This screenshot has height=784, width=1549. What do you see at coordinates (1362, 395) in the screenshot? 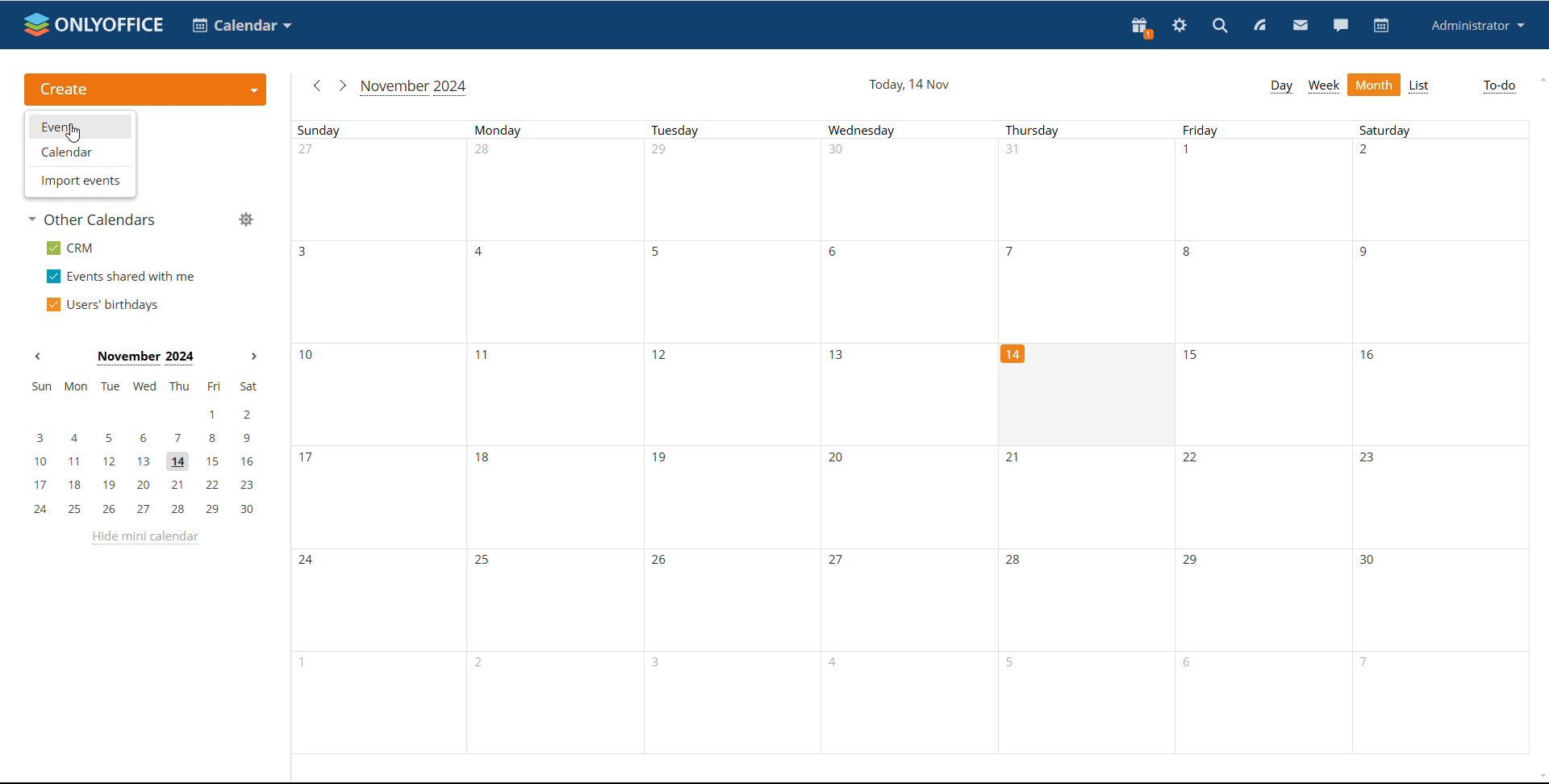
I see `Different dates of the month` at bounding box center [1362, 395].